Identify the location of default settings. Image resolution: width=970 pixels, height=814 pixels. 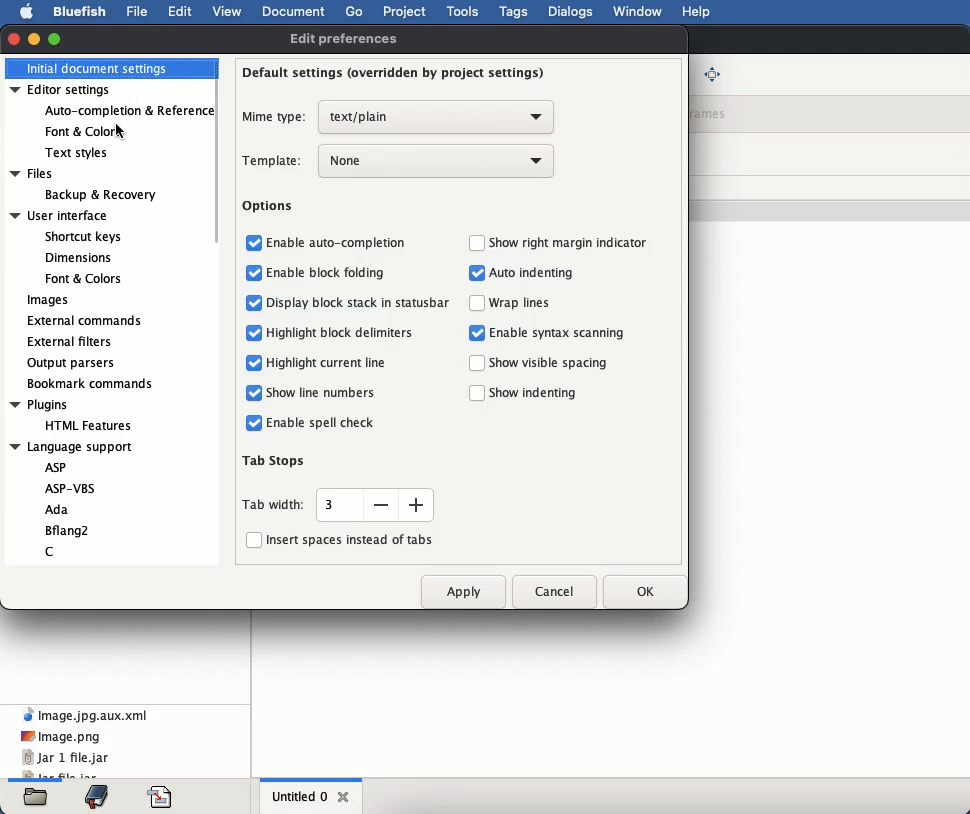
(395, 73).